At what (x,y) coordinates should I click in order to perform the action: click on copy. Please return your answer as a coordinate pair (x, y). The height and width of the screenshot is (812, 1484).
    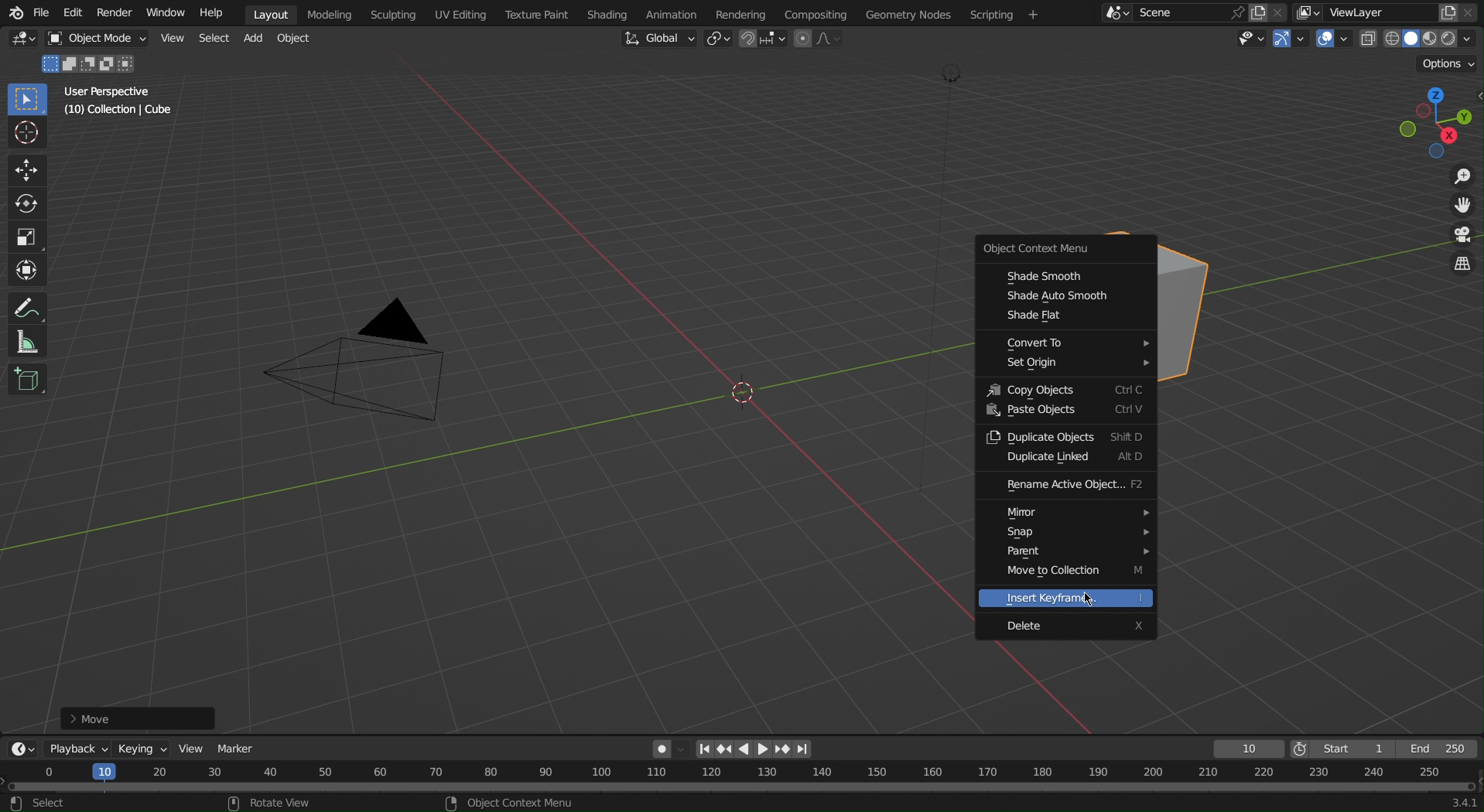
    Looking at the image, I should click on (1263, 11).